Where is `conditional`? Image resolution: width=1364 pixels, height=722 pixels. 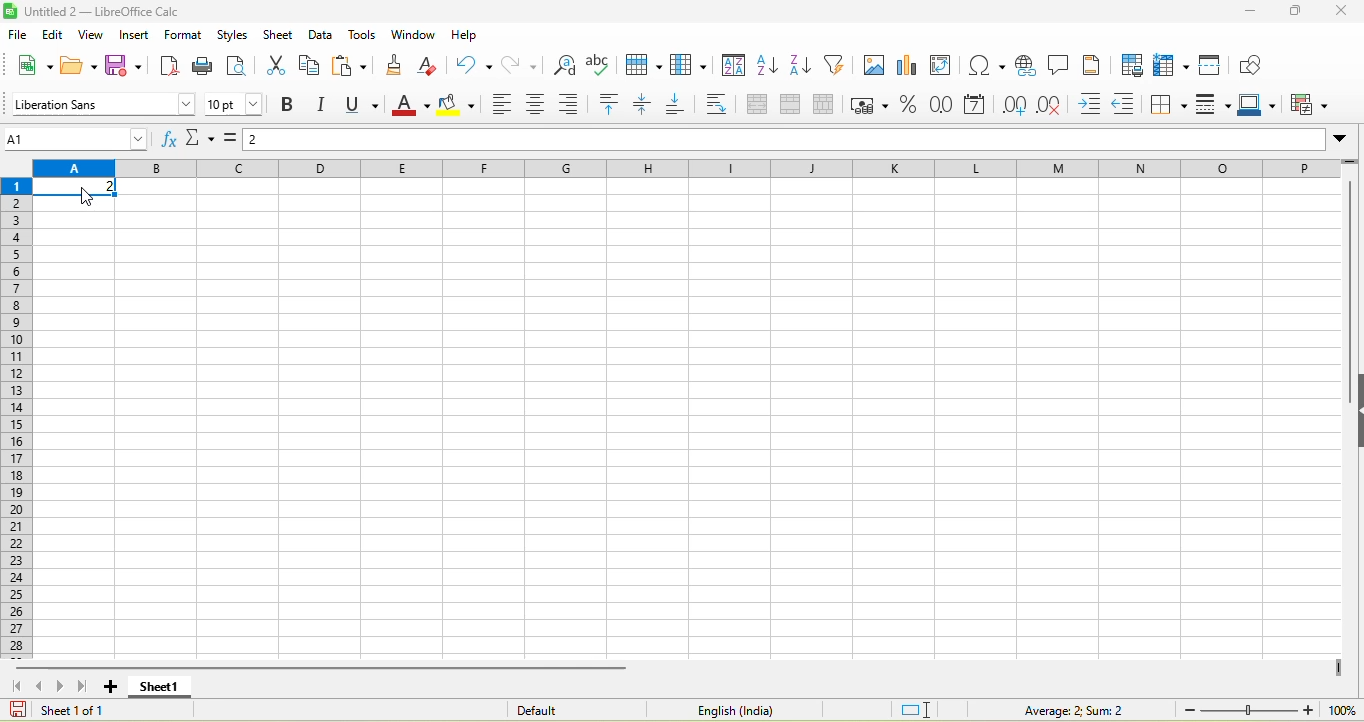 conditional is located at coordinates (1312, 104).